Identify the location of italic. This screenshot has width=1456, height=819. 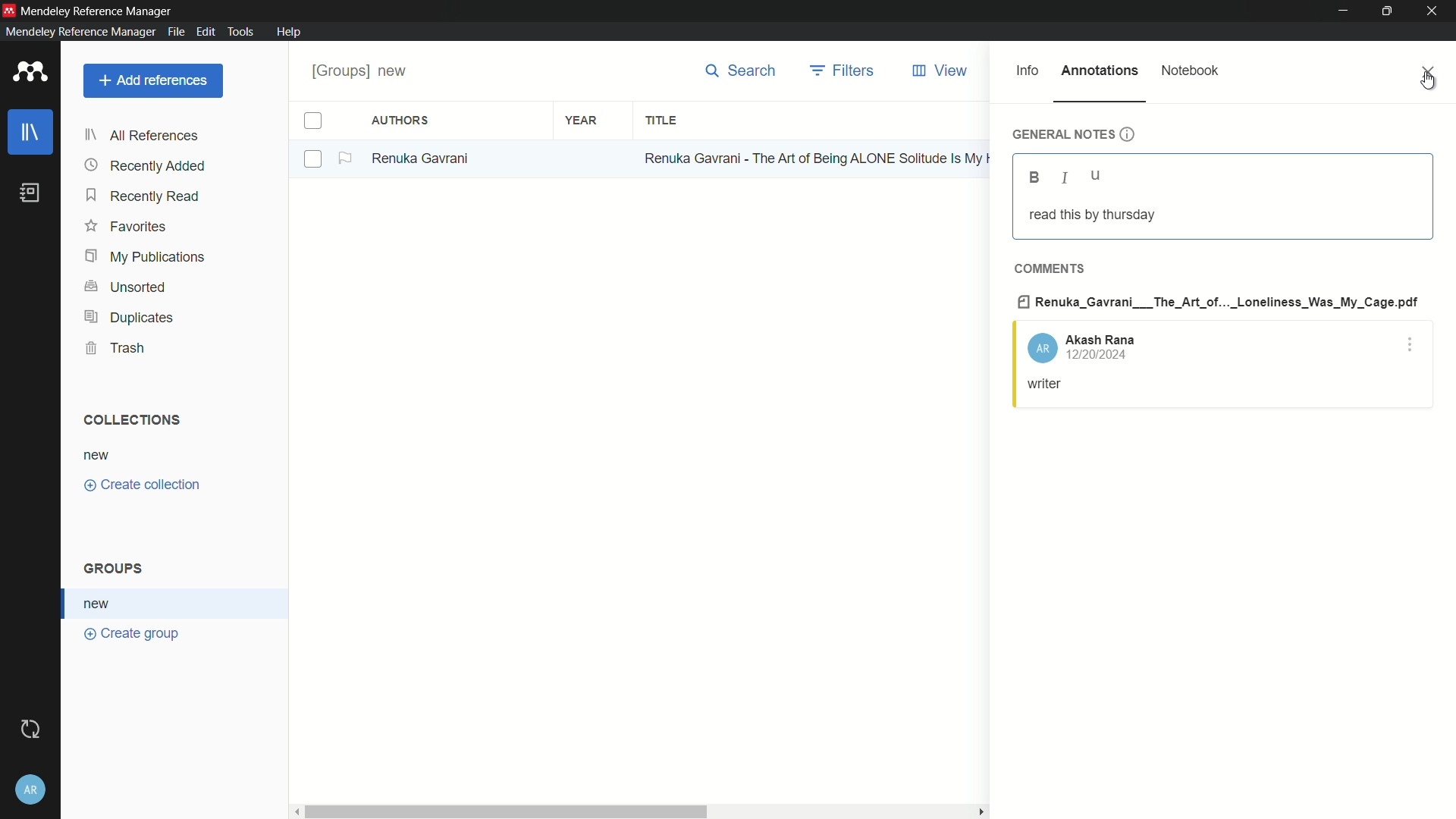
(1062, 178).